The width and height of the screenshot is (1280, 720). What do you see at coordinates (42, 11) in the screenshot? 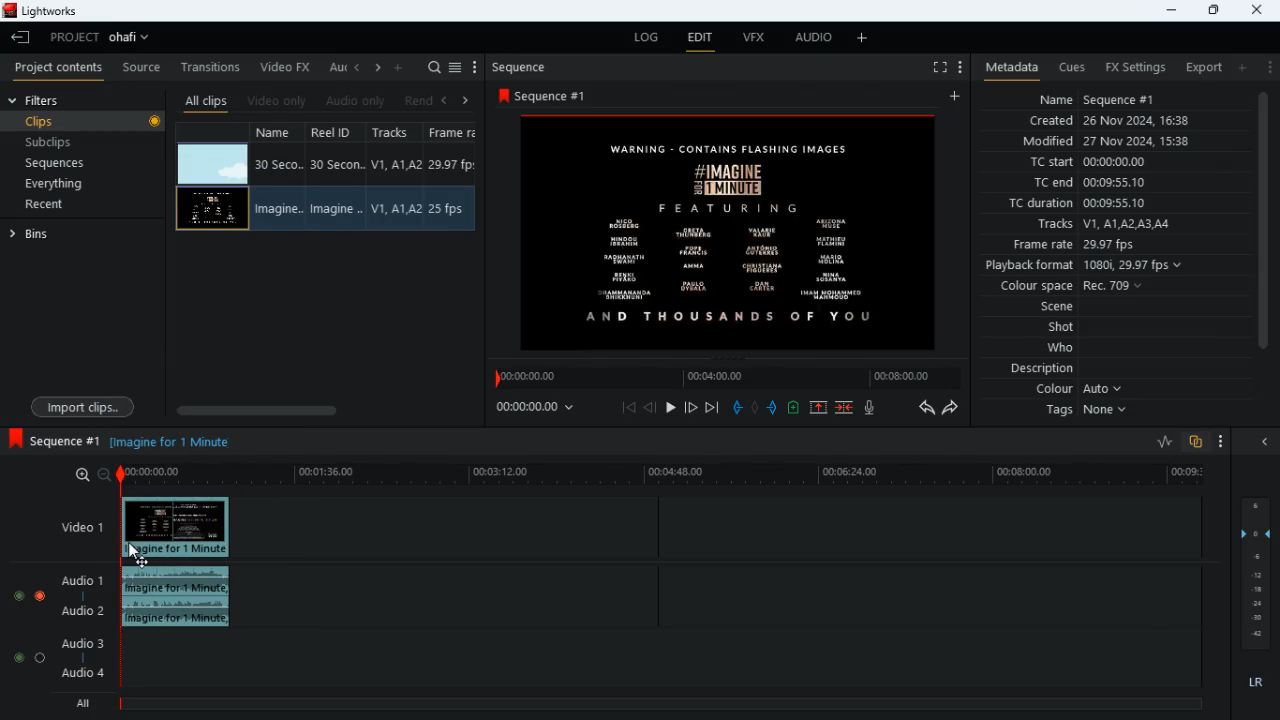
I see `lightworks` at bounding box center [42, 11].